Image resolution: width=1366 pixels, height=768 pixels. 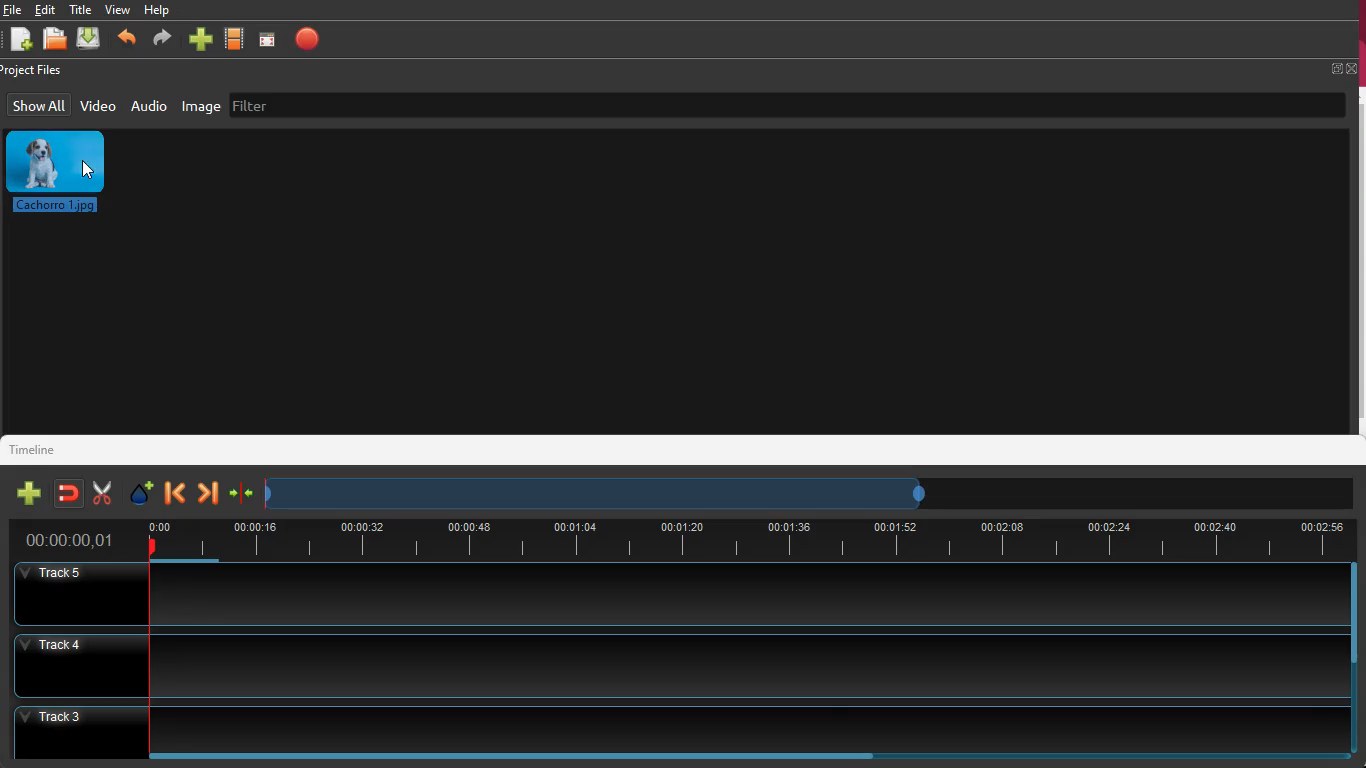 I want to click on new, so click(x=20, y=41).